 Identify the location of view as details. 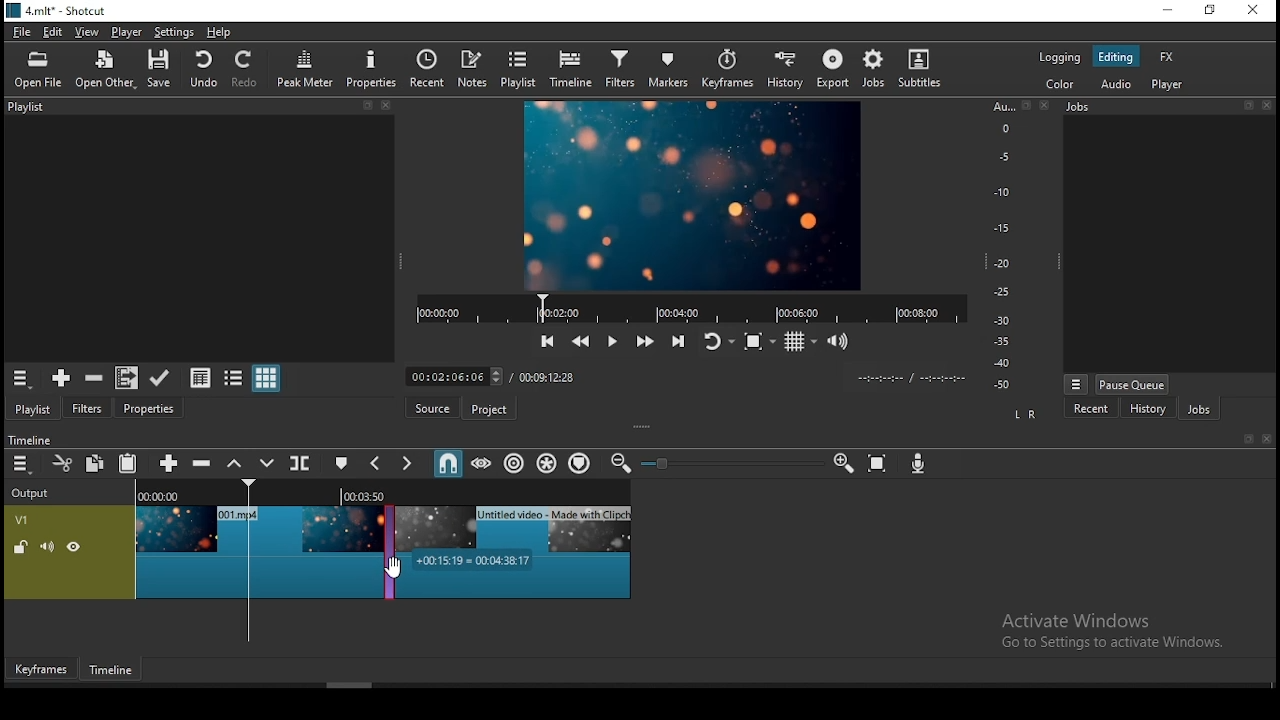
(201, 376).